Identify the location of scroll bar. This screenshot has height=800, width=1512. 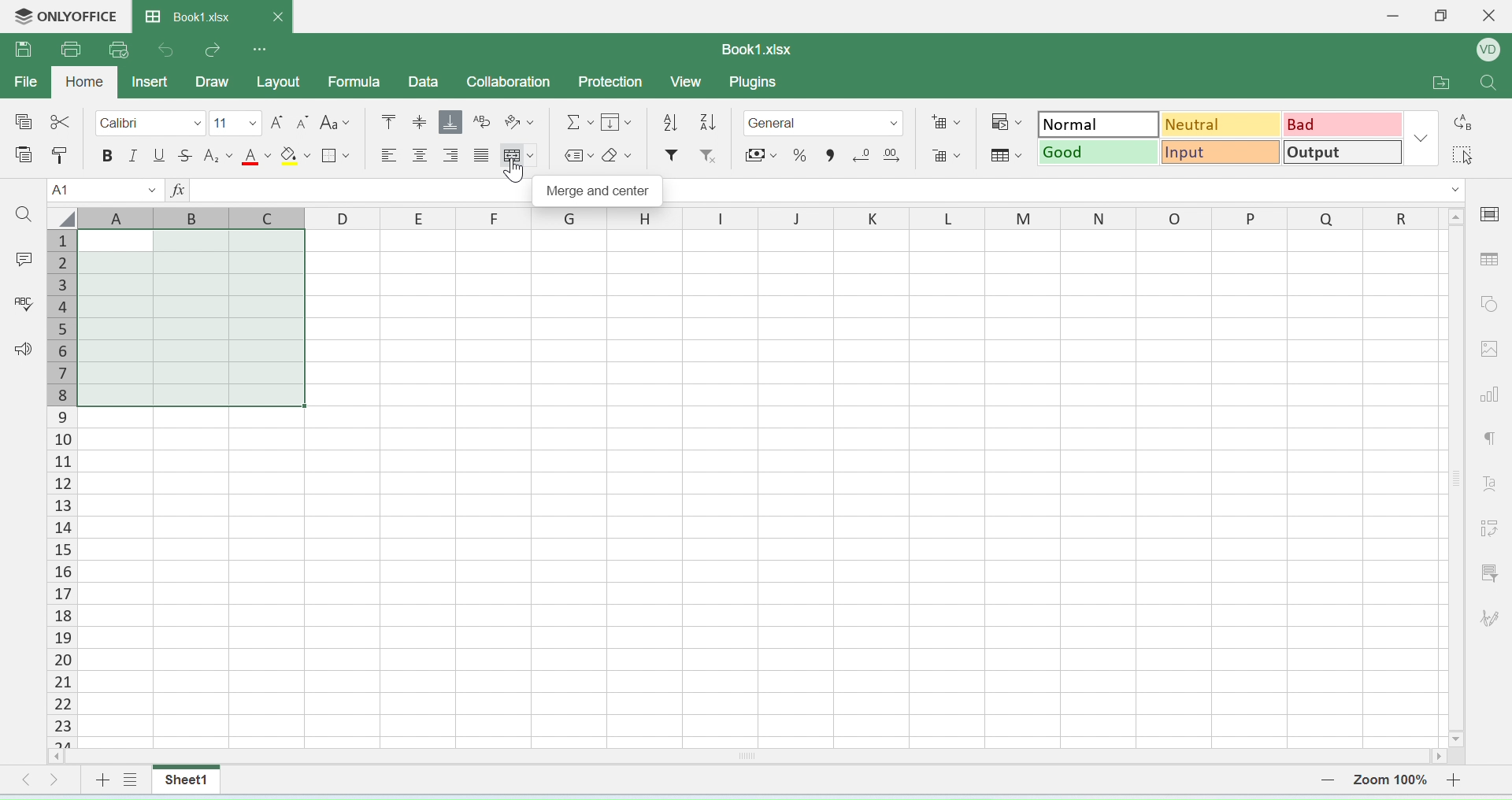
(1456, 473).